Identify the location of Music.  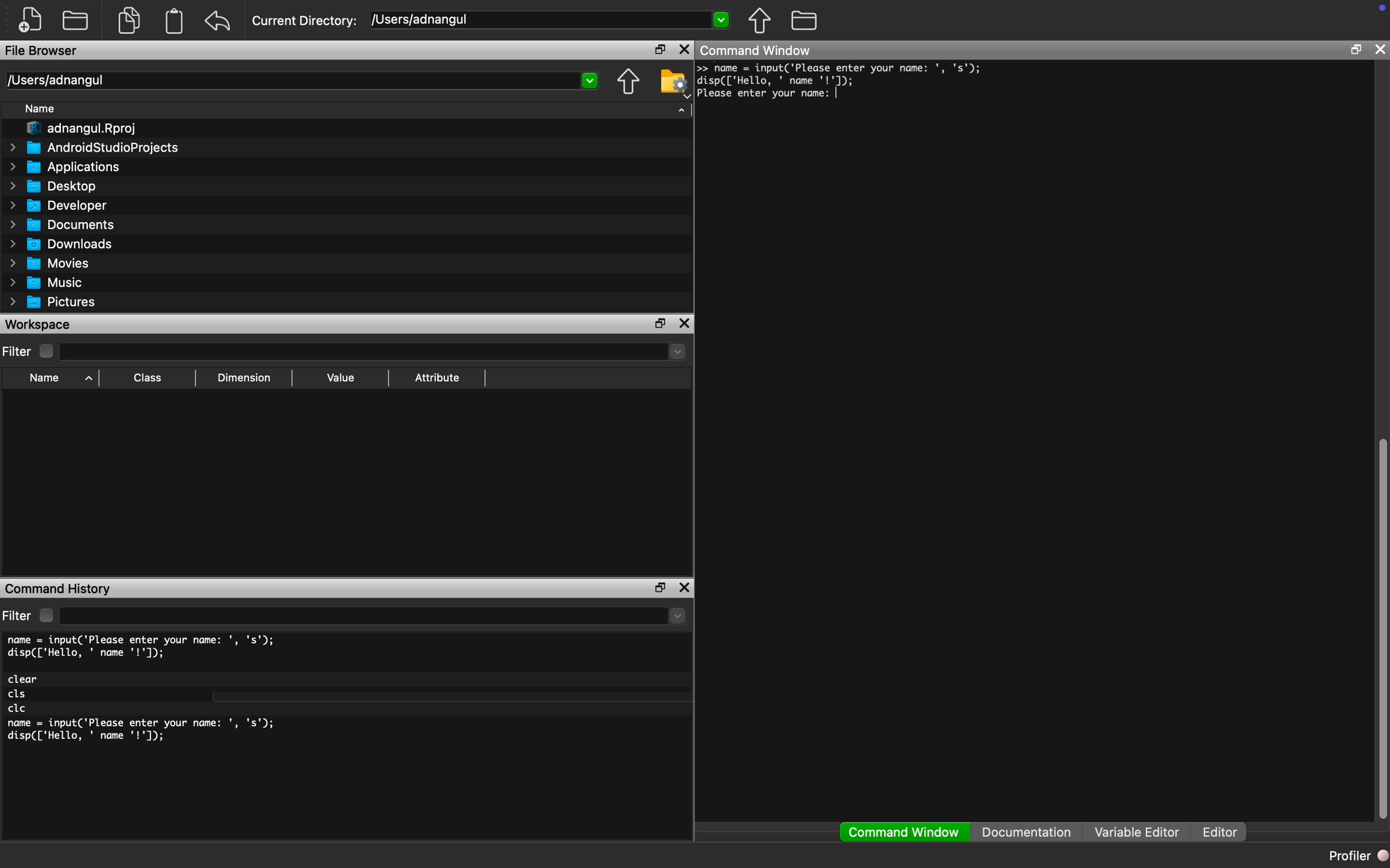
(45, 283).